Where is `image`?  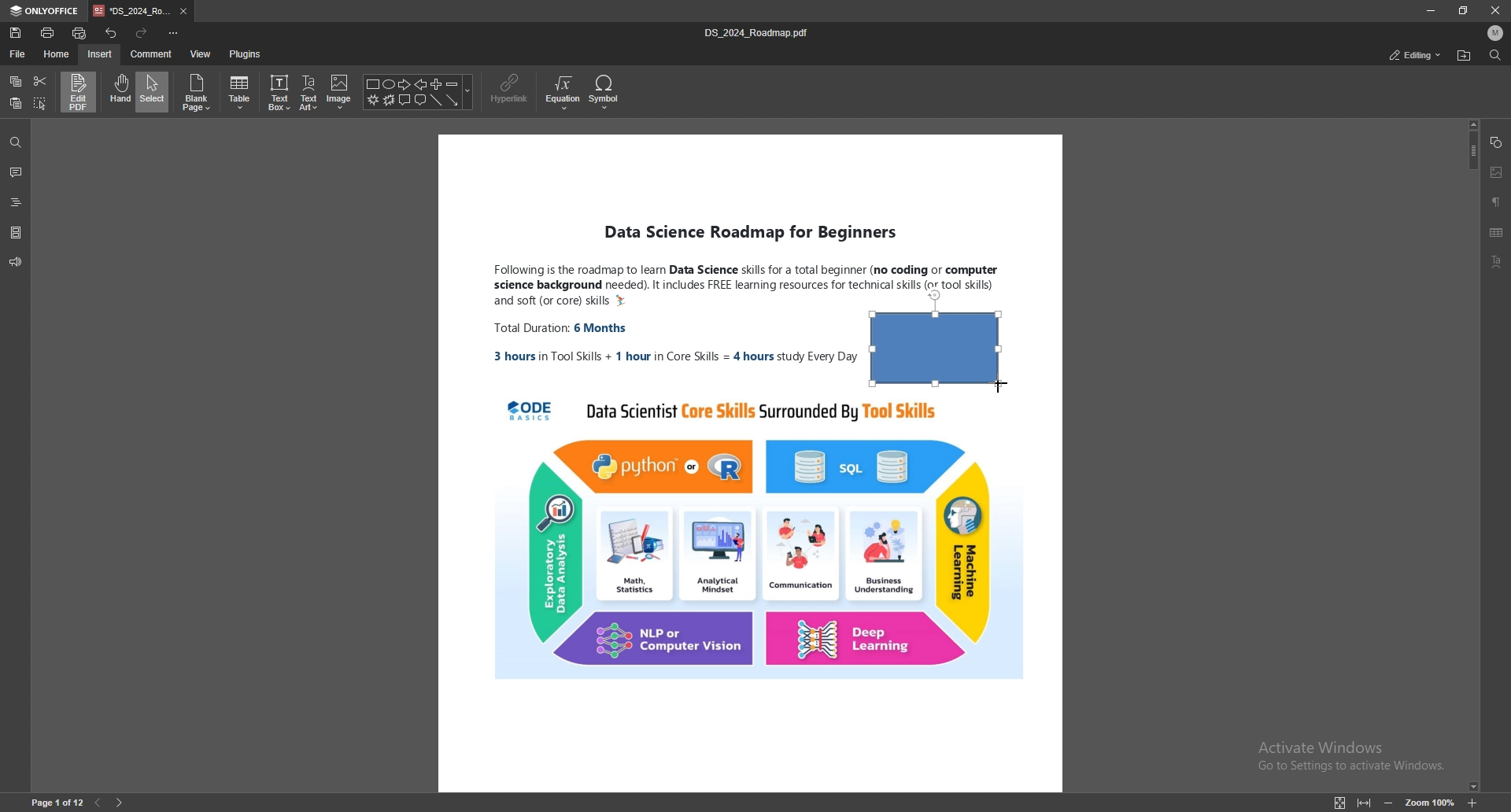 image is located at coordinates (1496, 171).